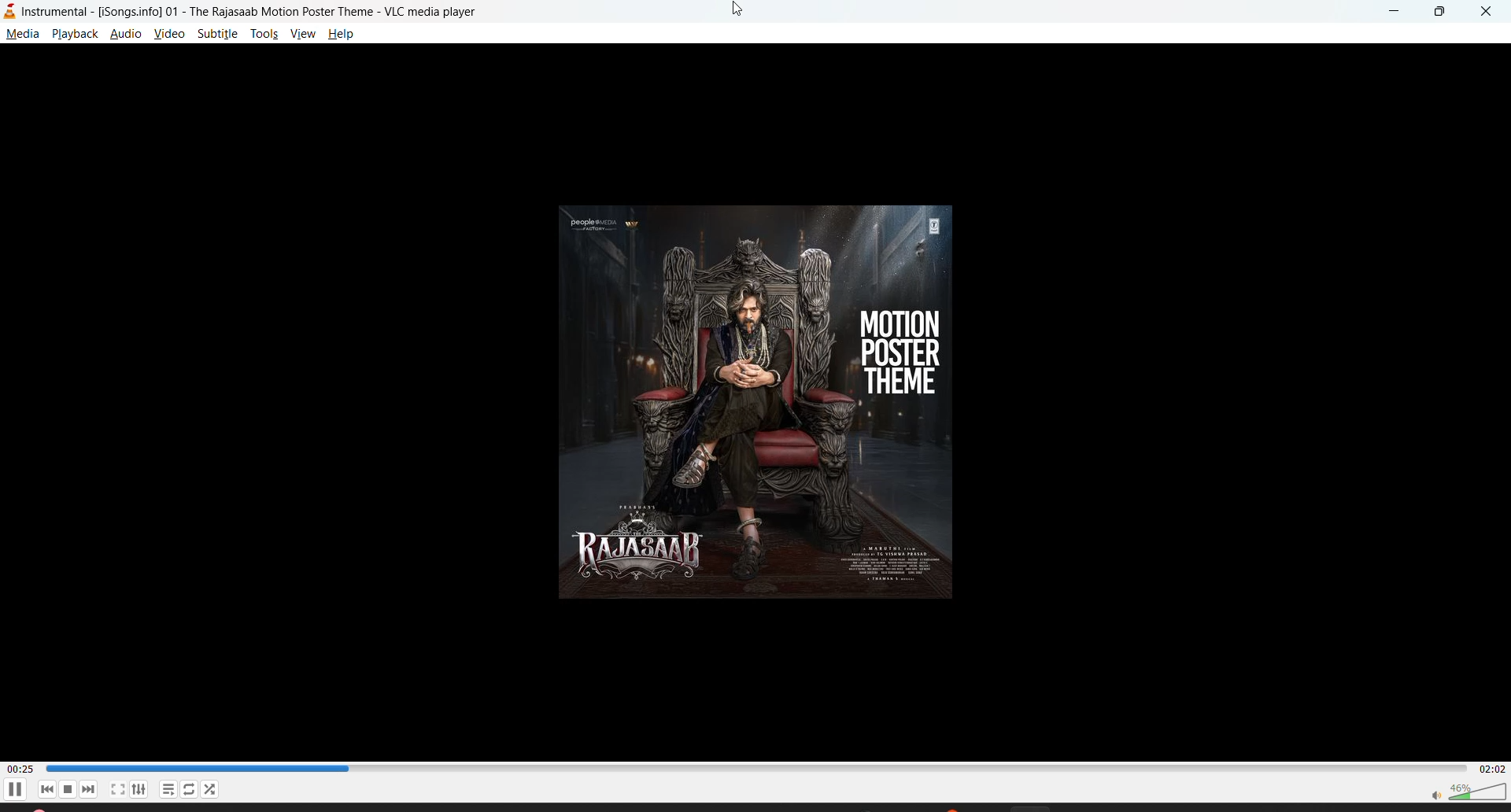 The width and height of the screenshot is (1511, 812). I want to click on media, so click(22, 35).